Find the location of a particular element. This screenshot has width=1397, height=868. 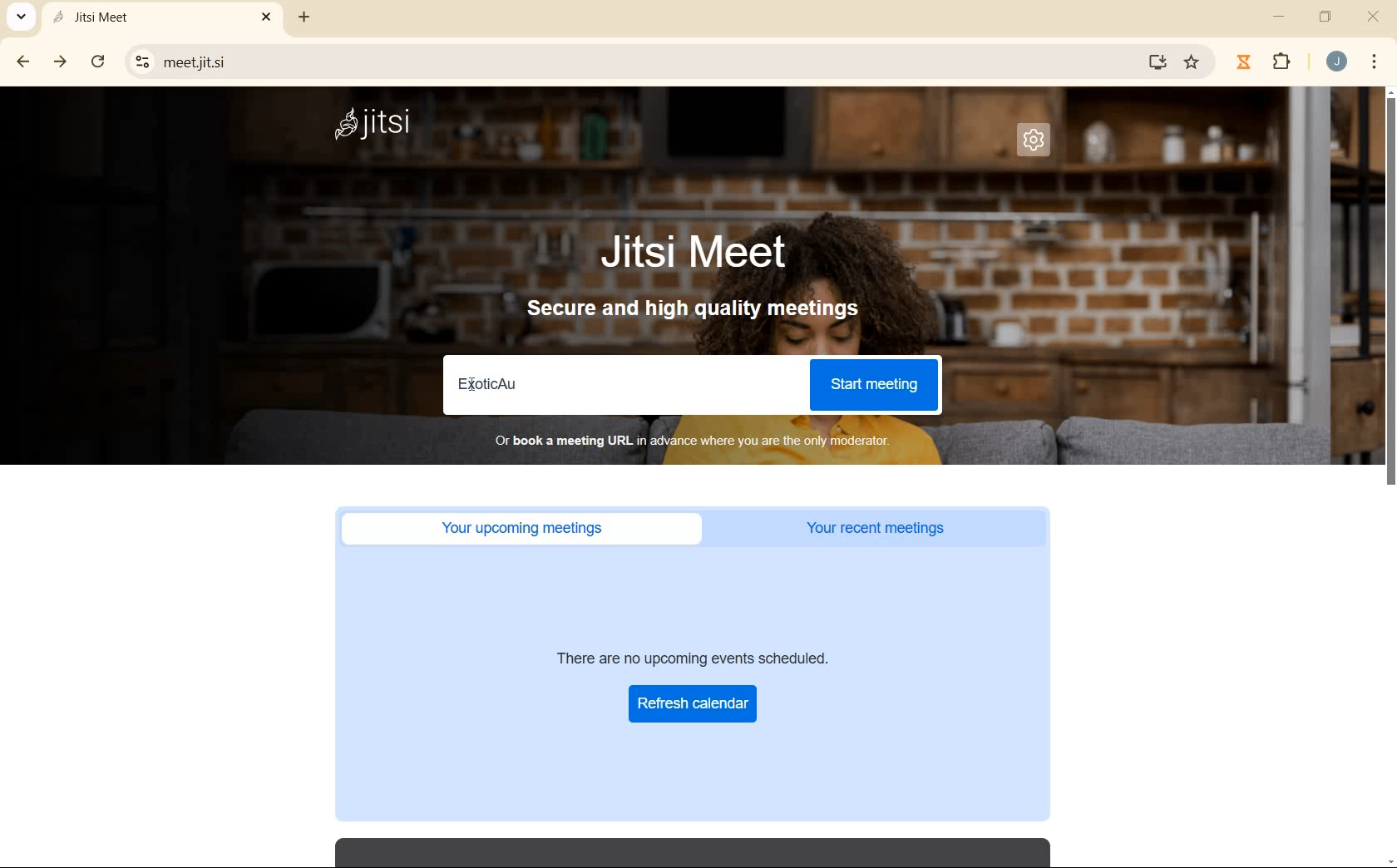

forward is located at coordinates (62, 62).